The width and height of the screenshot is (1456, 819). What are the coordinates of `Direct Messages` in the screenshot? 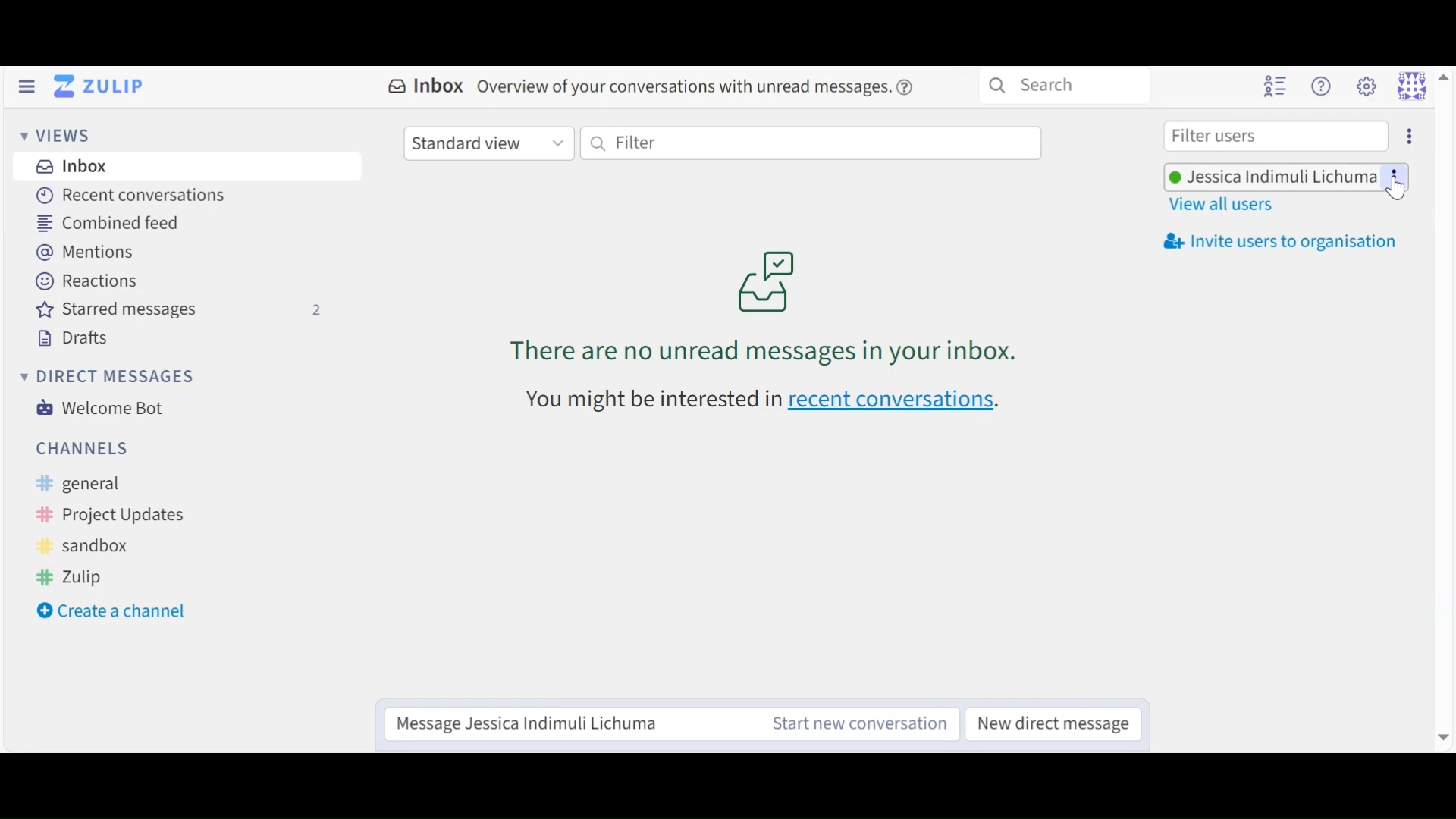 It's located at (105, 377).